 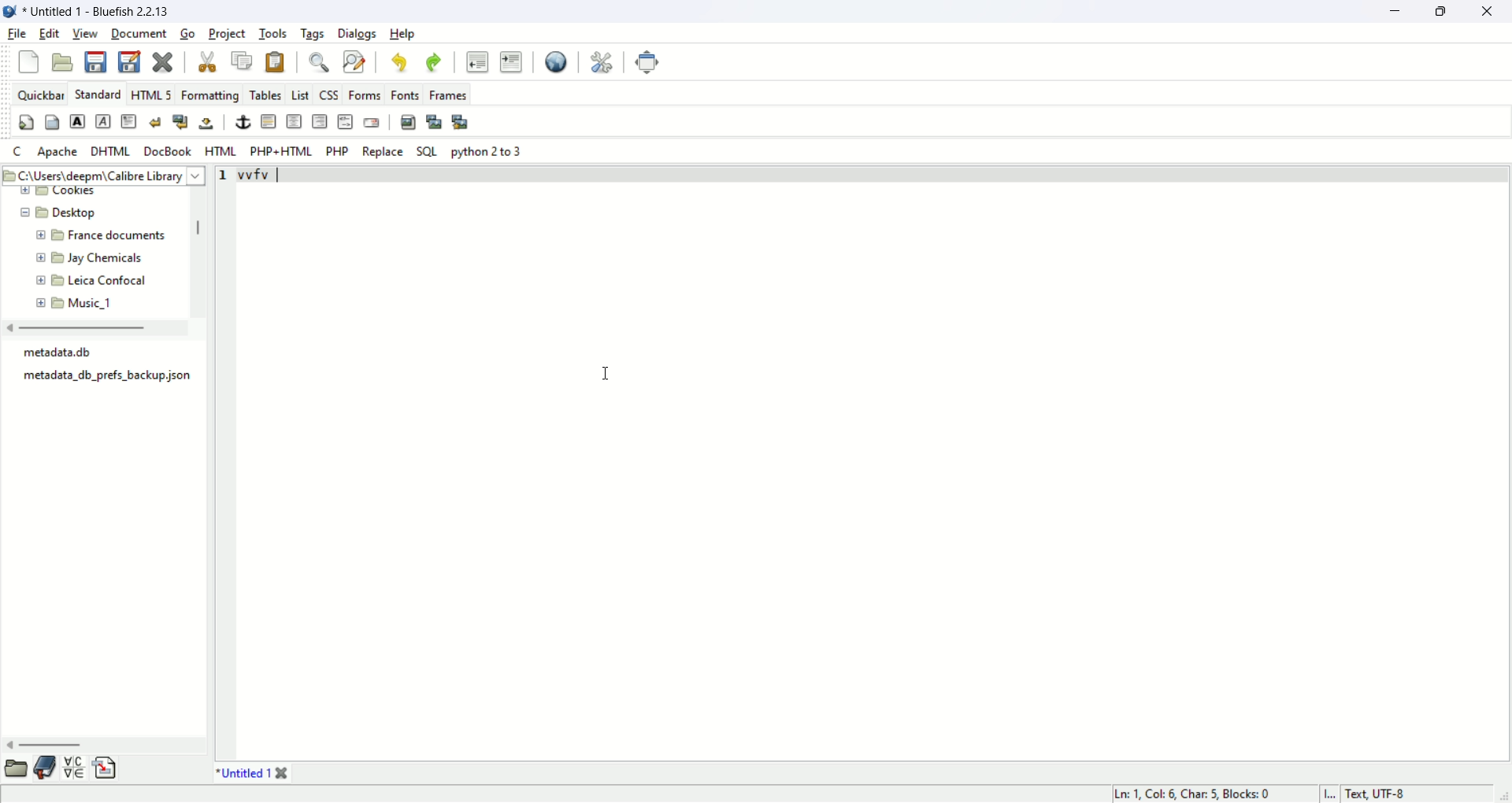 I want to click on application icon, so click(x=10, y=11).